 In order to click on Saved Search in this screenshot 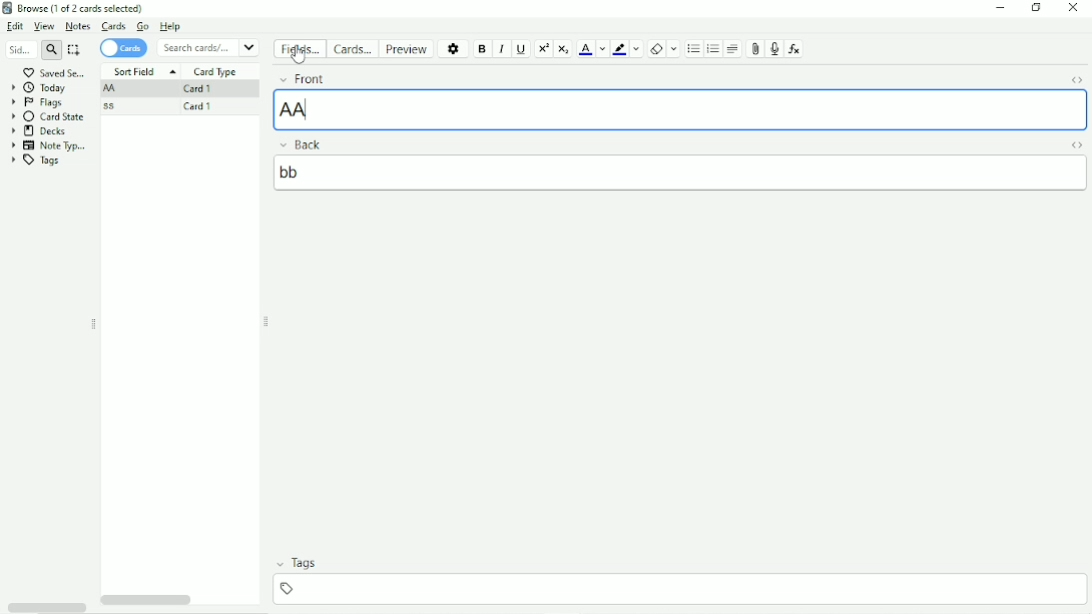, I will do `click(57, 72)`.